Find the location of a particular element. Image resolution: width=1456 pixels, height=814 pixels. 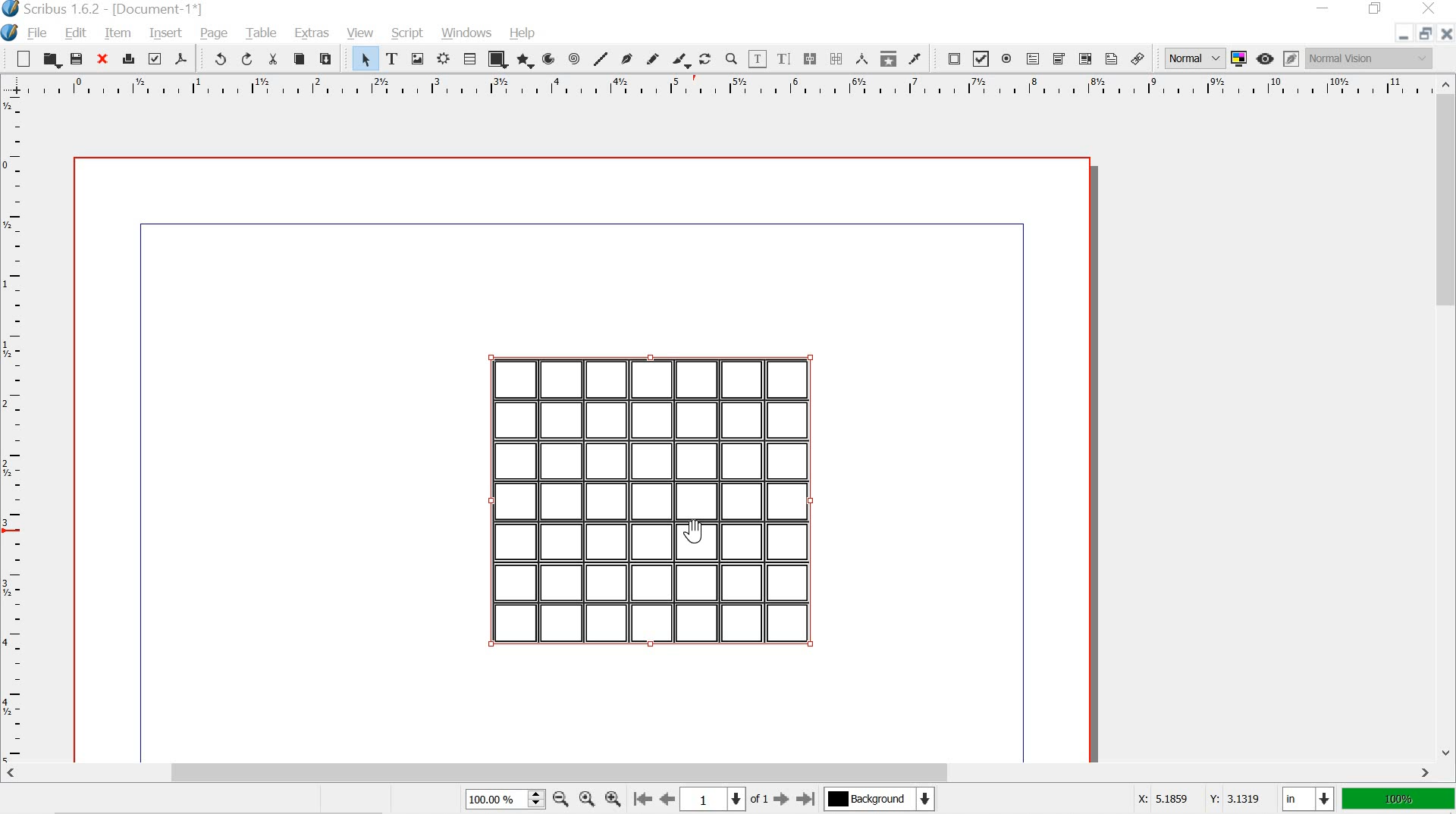

scribus 1.6.2 - [Document-1*] is located at coordinates (111, 9).